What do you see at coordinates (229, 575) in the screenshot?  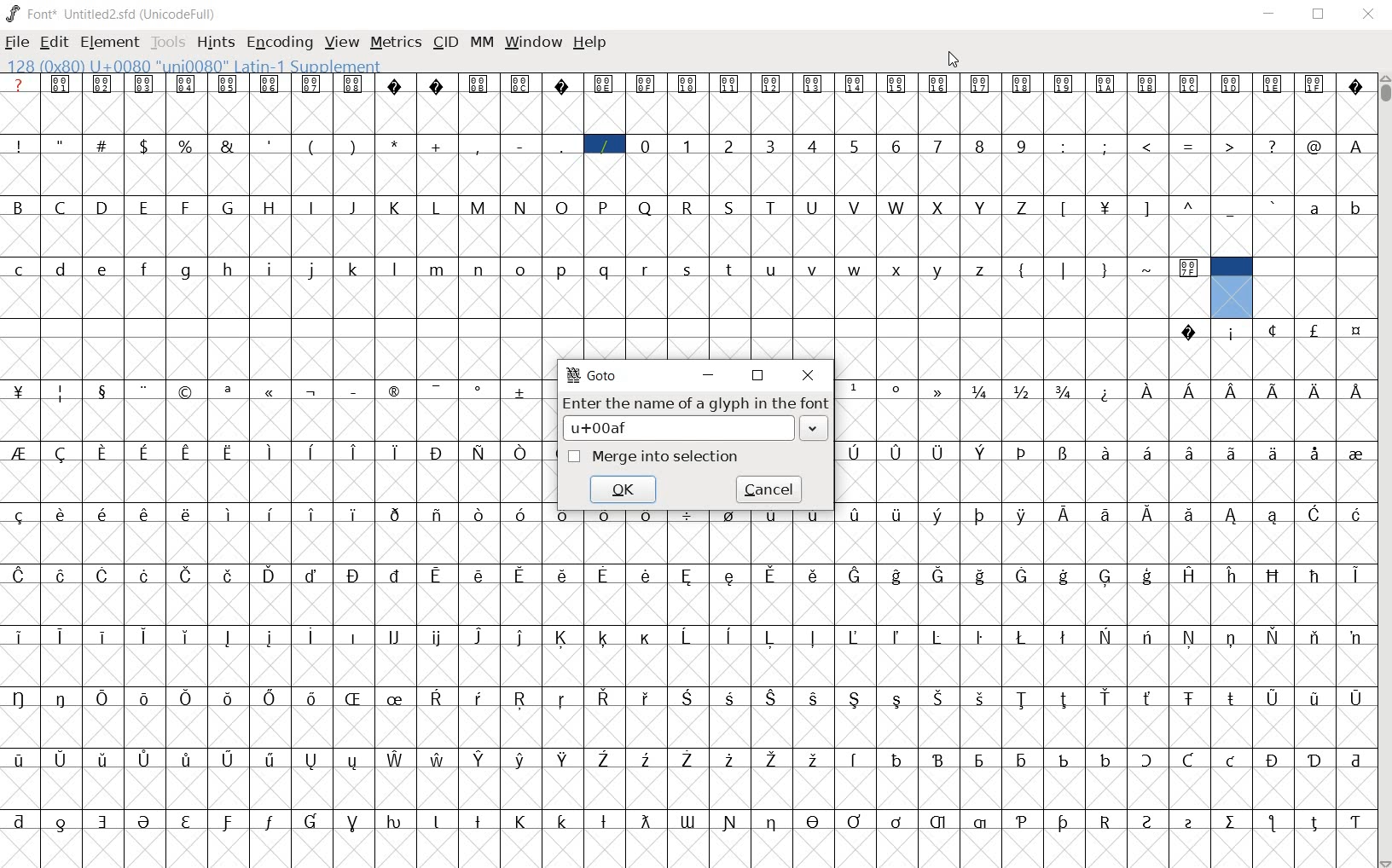 I see `Symbol` at bounding box center [229, 575].